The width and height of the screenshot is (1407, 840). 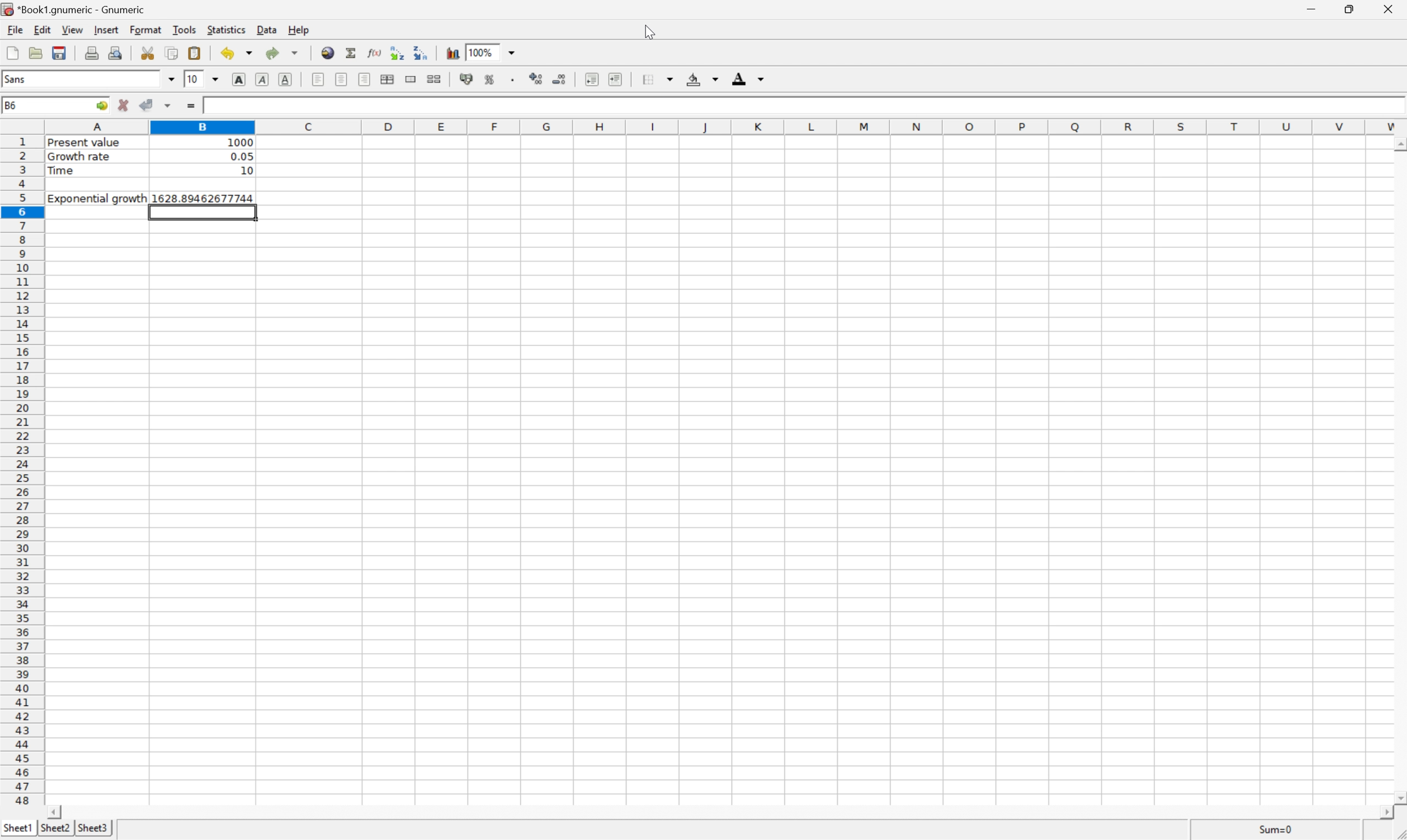 What do you see at coordinates (148, 52) in the screenshot?
I see `Cut the selection` at bounding box center [148, 52].